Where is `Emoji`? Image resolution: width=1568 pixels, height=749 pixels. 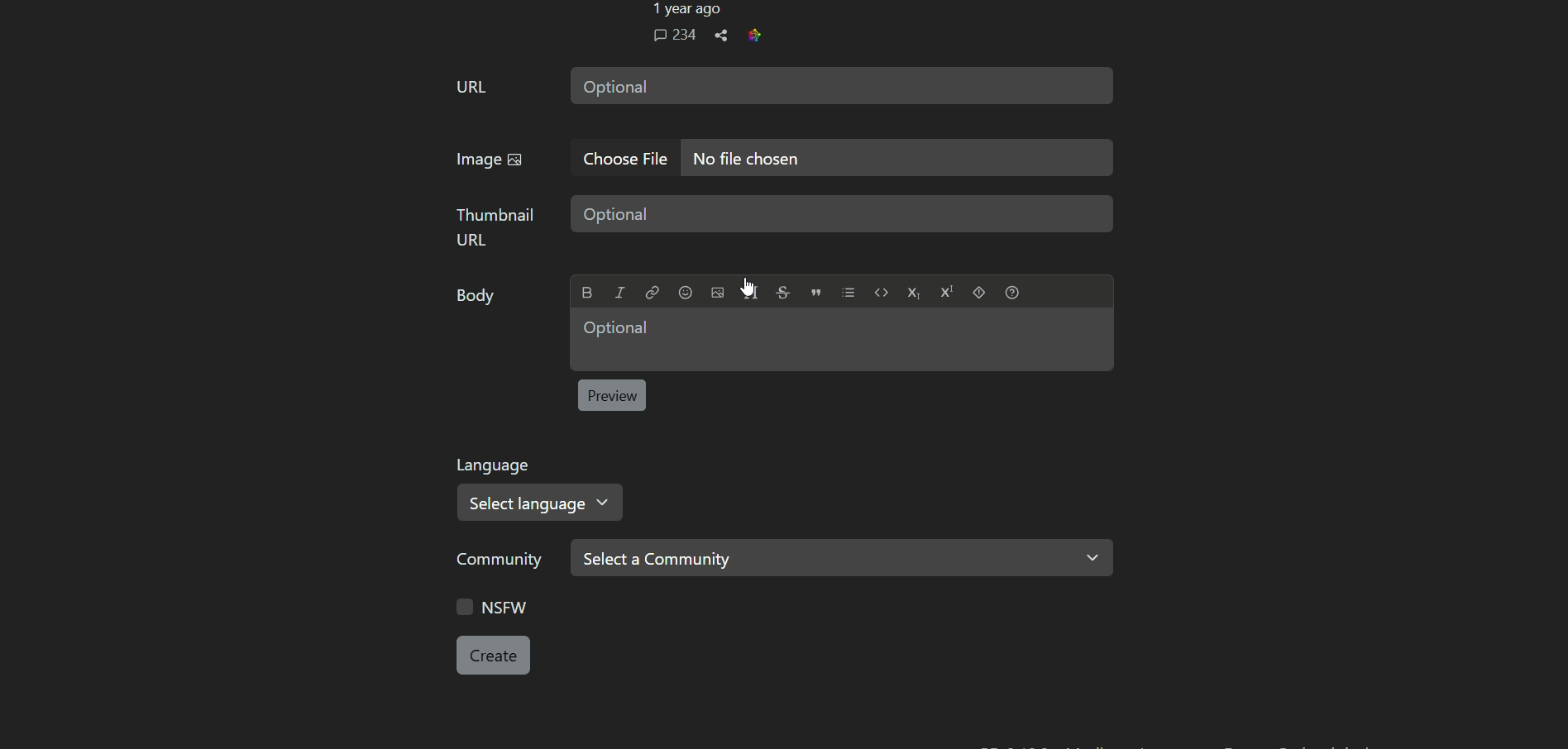
Emoji is located at coordinates (685, 293).